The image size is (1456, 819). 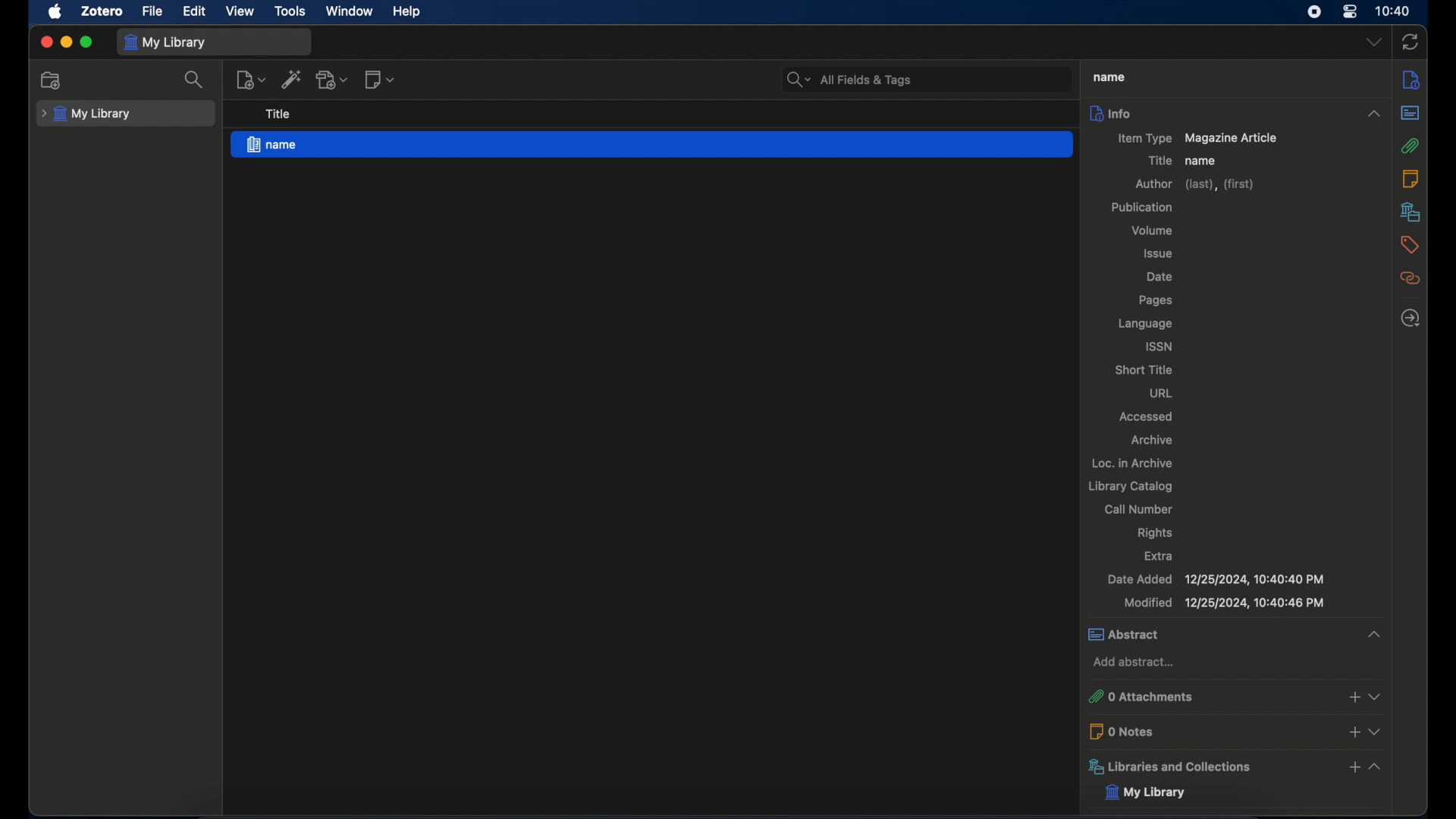 What do you see at coordinates (282, 144) in the screenshot?
I see `magazine article - name` at bounding box center [282, 144].